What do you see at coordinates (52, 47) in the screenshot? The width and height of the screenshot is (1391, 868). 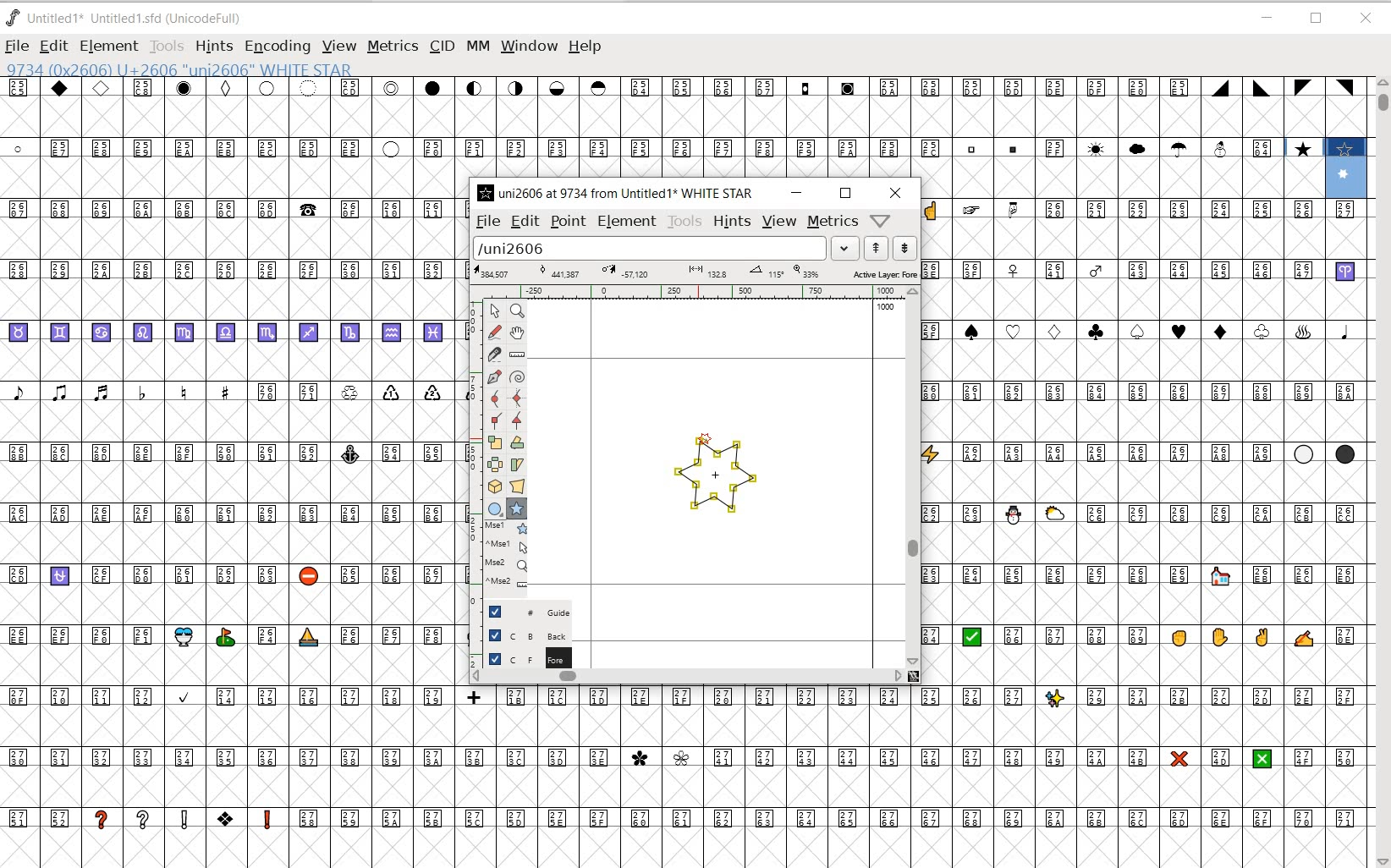 I see `EDIT` at bounding box center [52, 47].